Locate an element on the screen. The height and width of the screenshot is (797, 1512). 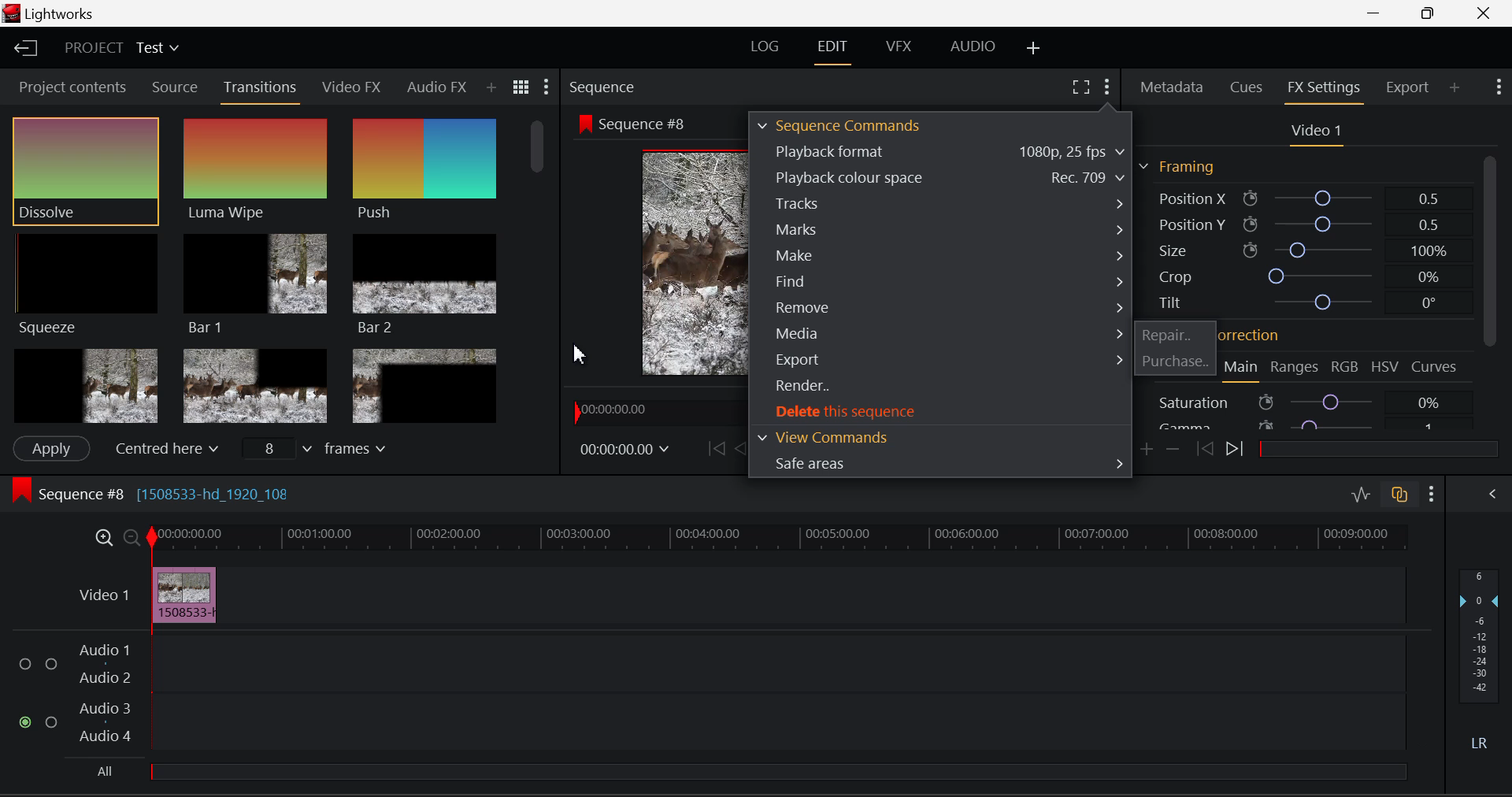
Bar 2 is located at coordinates (425, 286).